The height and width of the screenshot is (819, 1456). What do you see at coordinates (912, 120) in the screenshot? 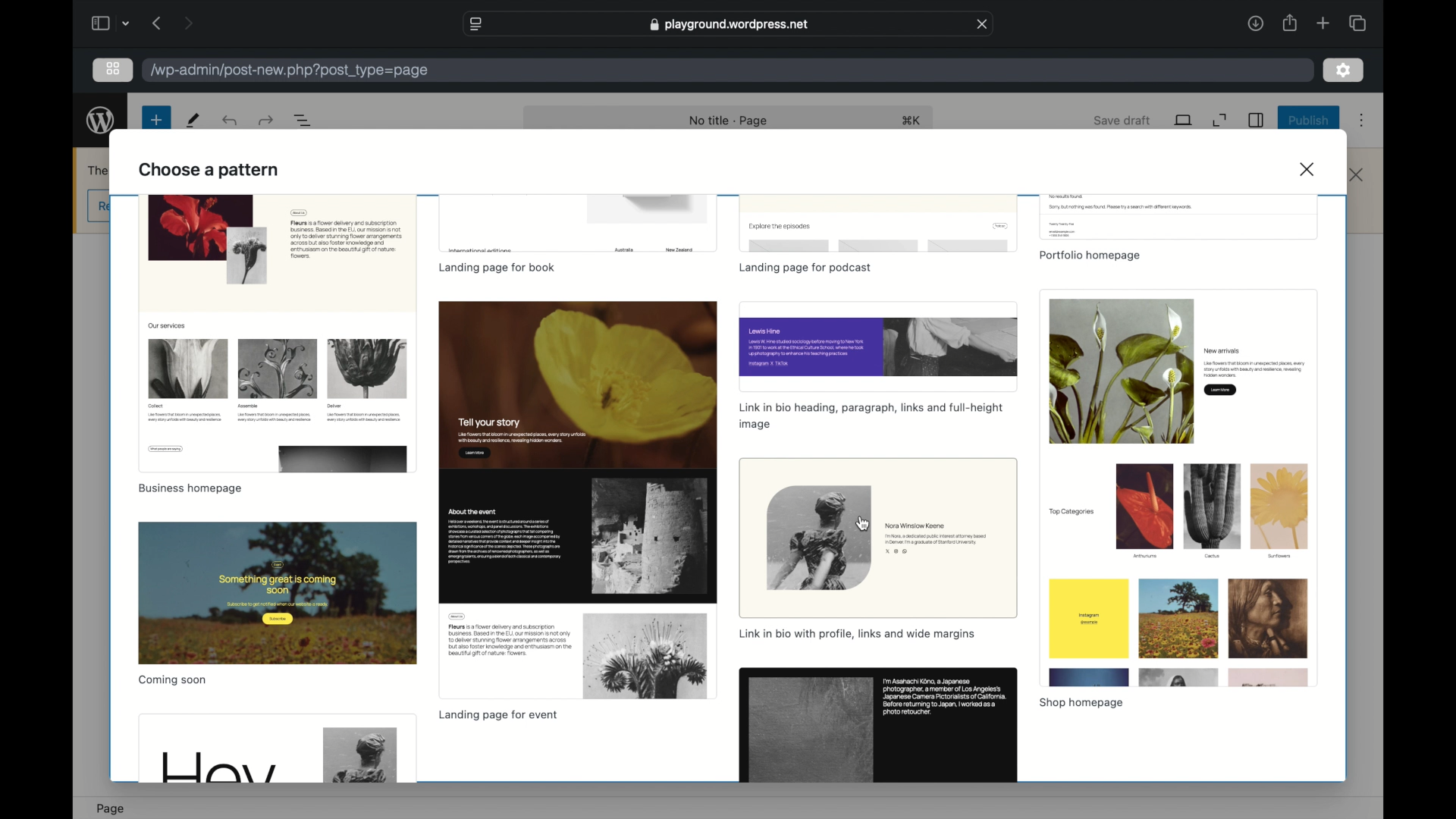
I see `shortcut` at bounding box center [912, 120].